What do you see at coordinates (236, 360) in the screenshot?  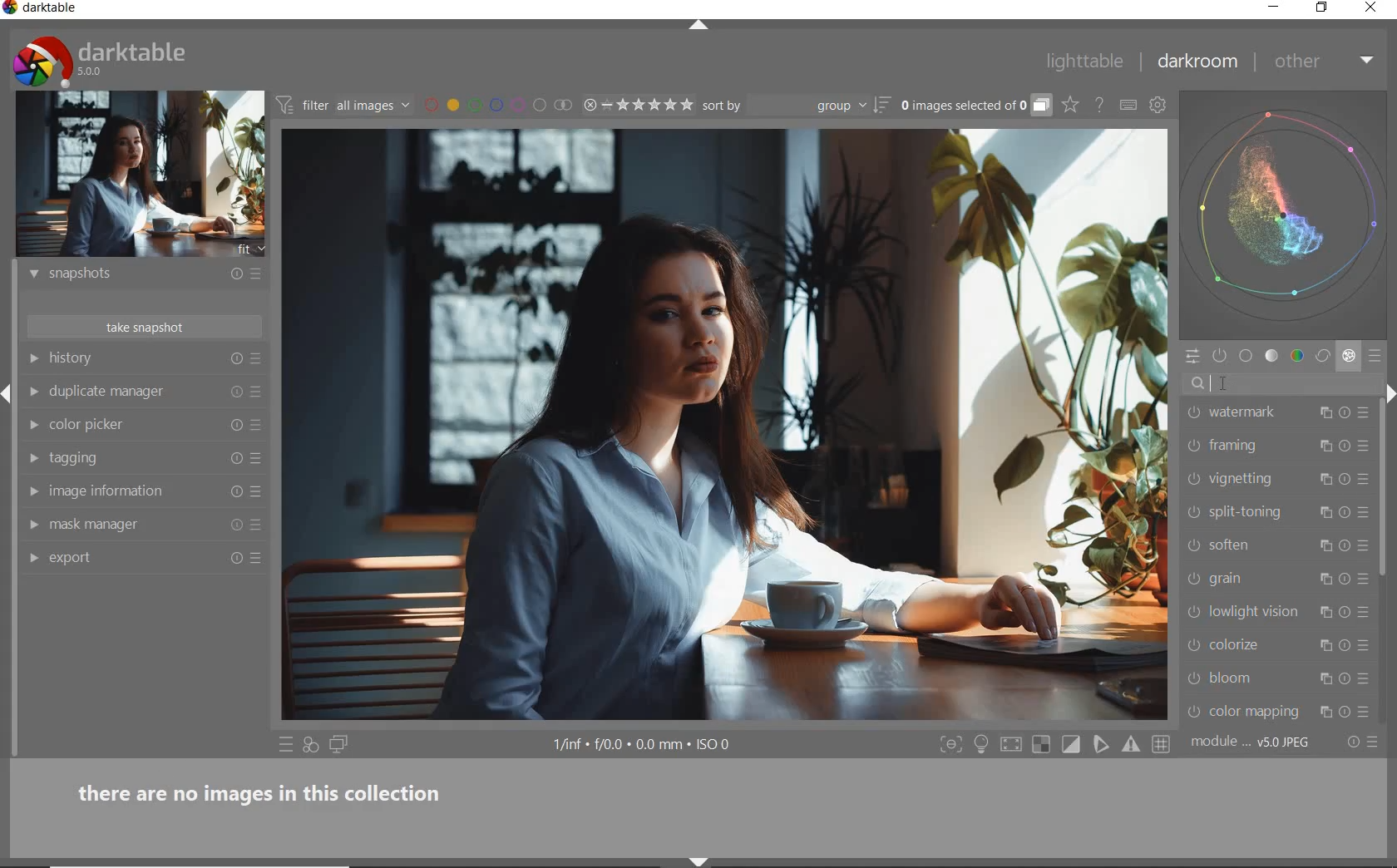 I see `reset` at bounding box center [236, 360].